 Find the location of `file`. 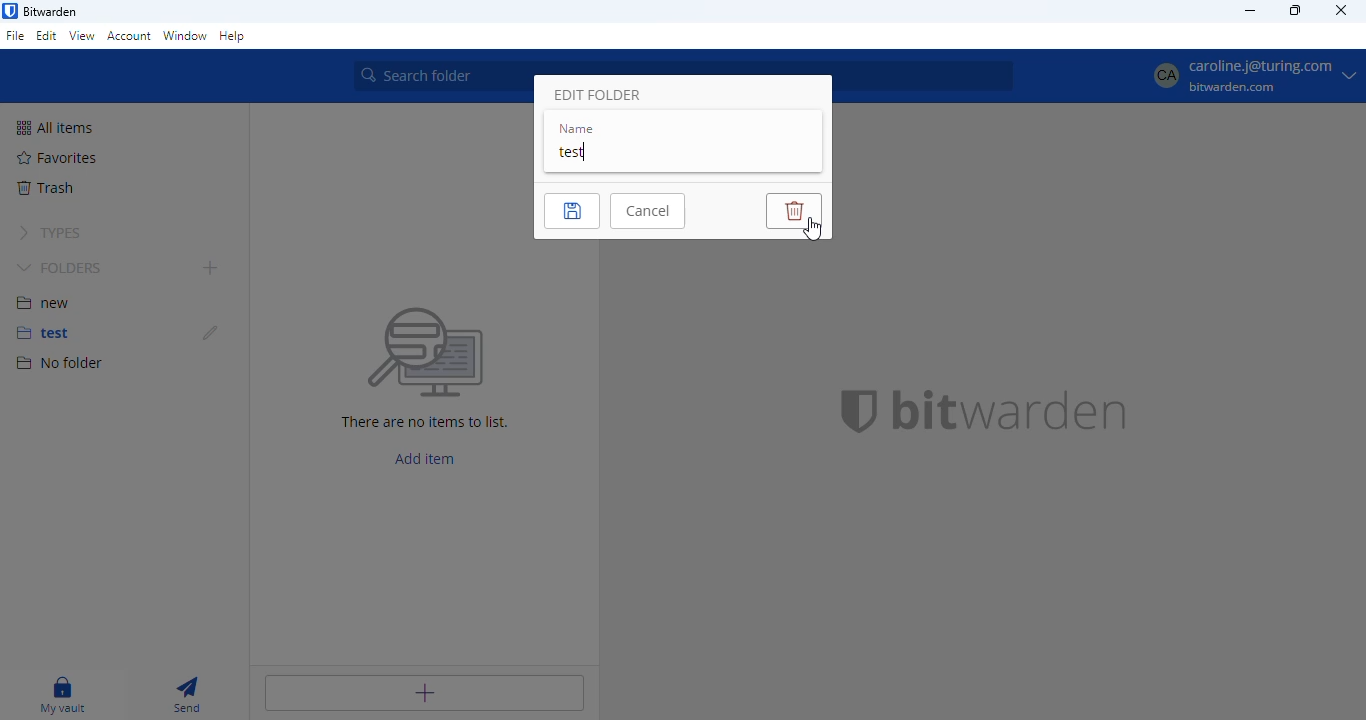

file is located at coordinates (16, 36).